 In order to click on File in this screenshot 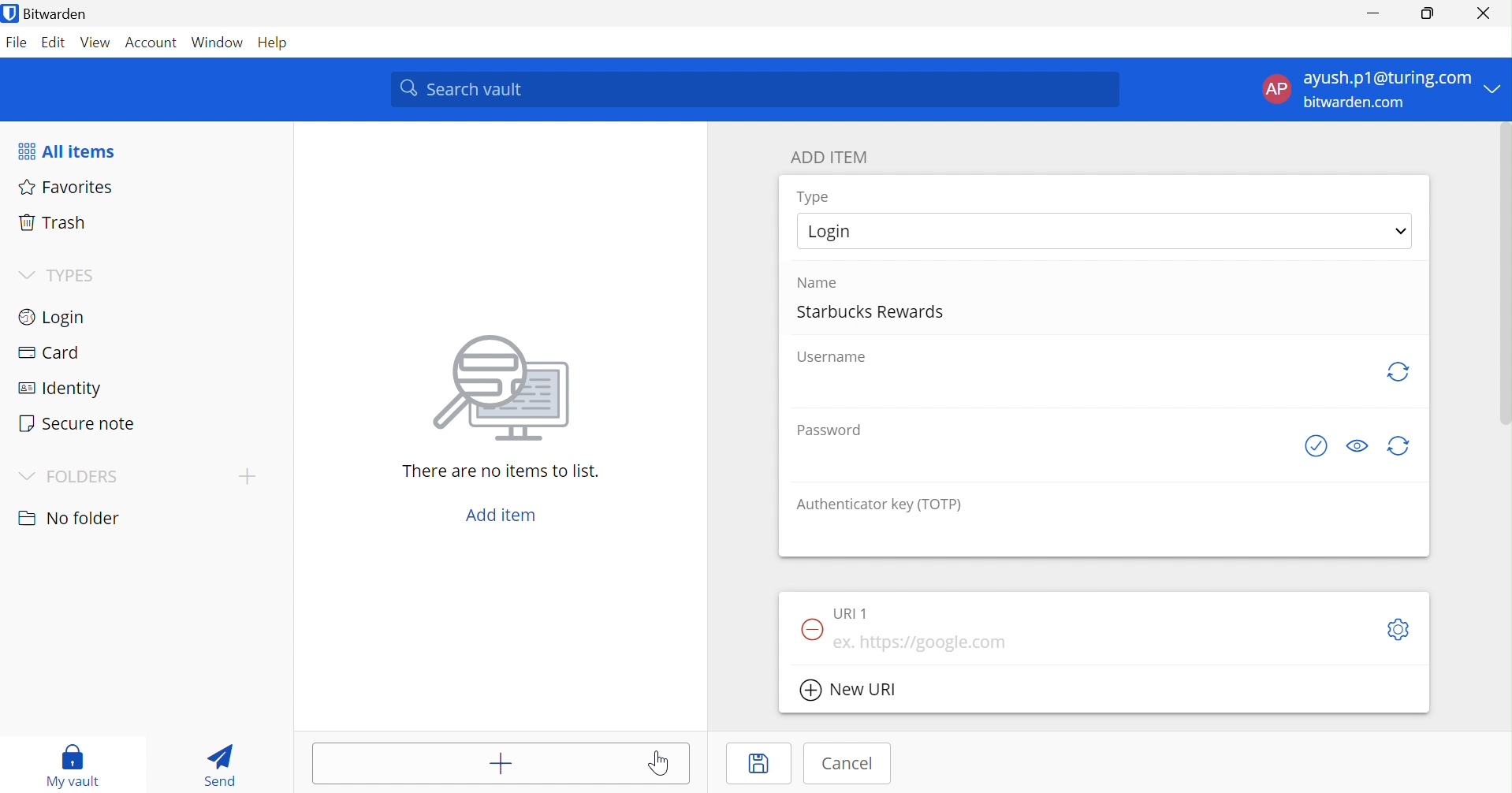, I will do `click(17, 45)`.